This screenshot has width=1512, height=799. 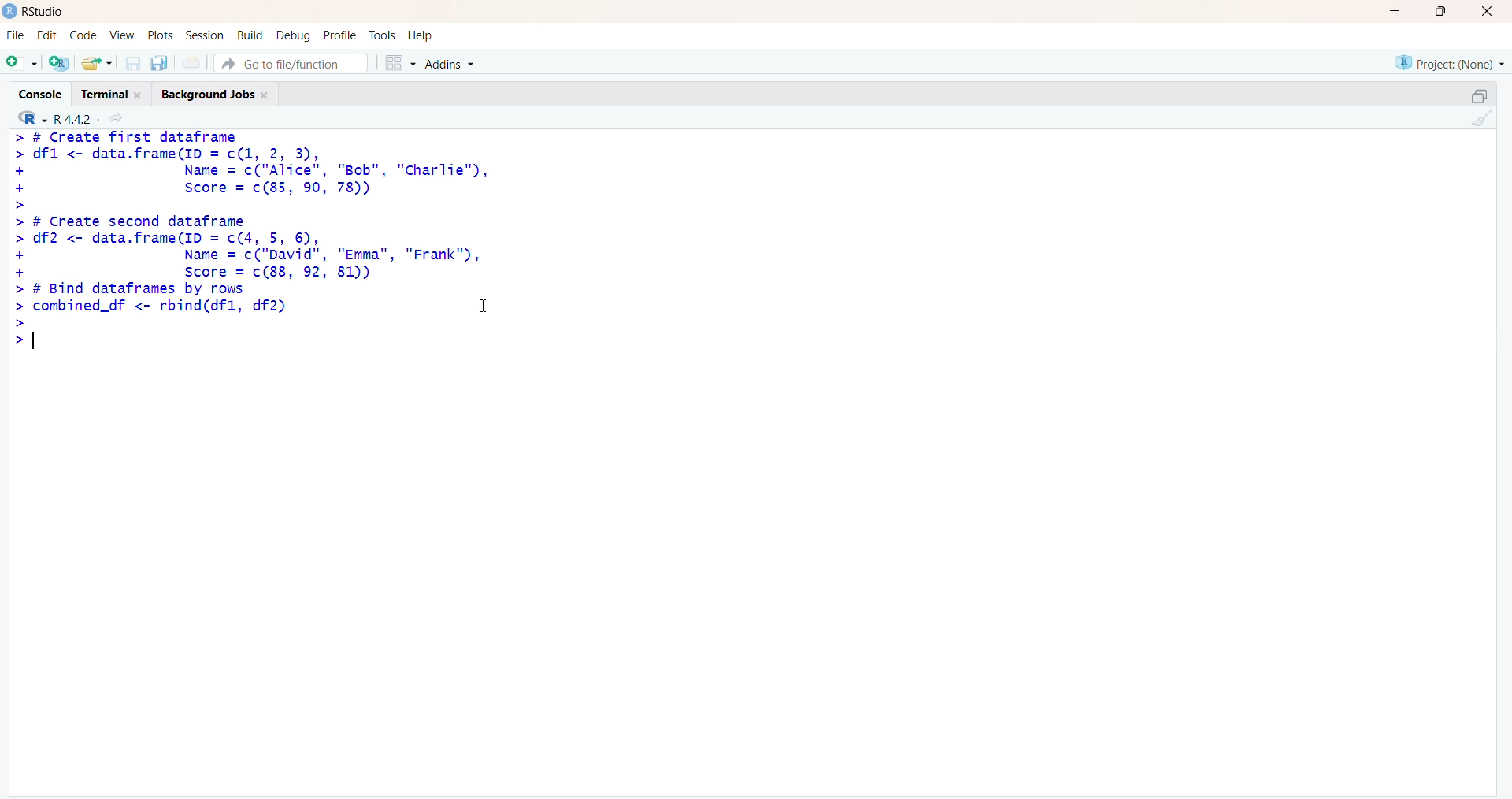 What do you see at coordinates (83, 35) in the screenshot?
I see `Code` at bounding box center [83, 35].